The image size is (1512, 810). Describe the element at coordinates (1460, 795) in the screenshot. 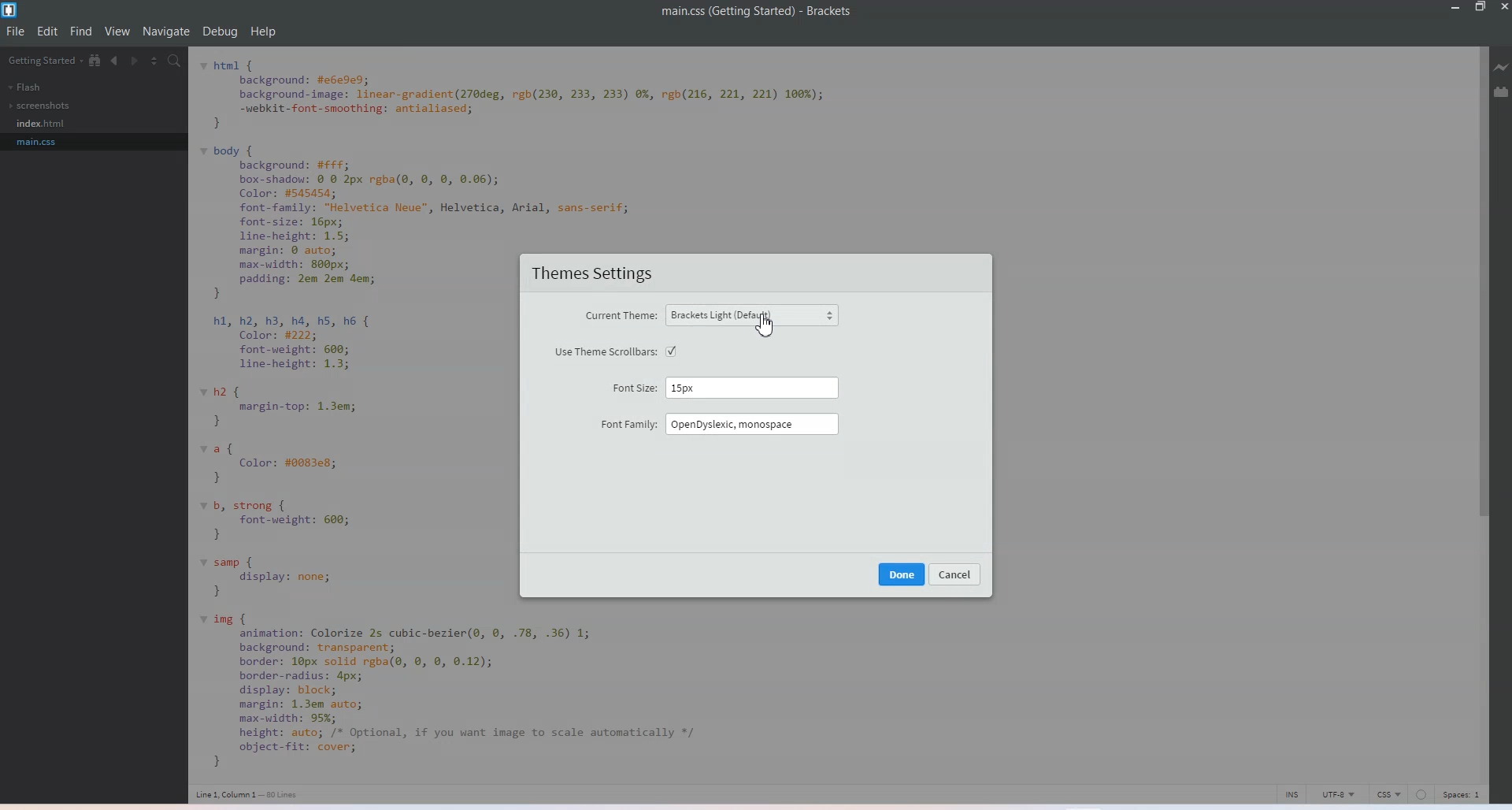

I see `Spaces 1` at that location.